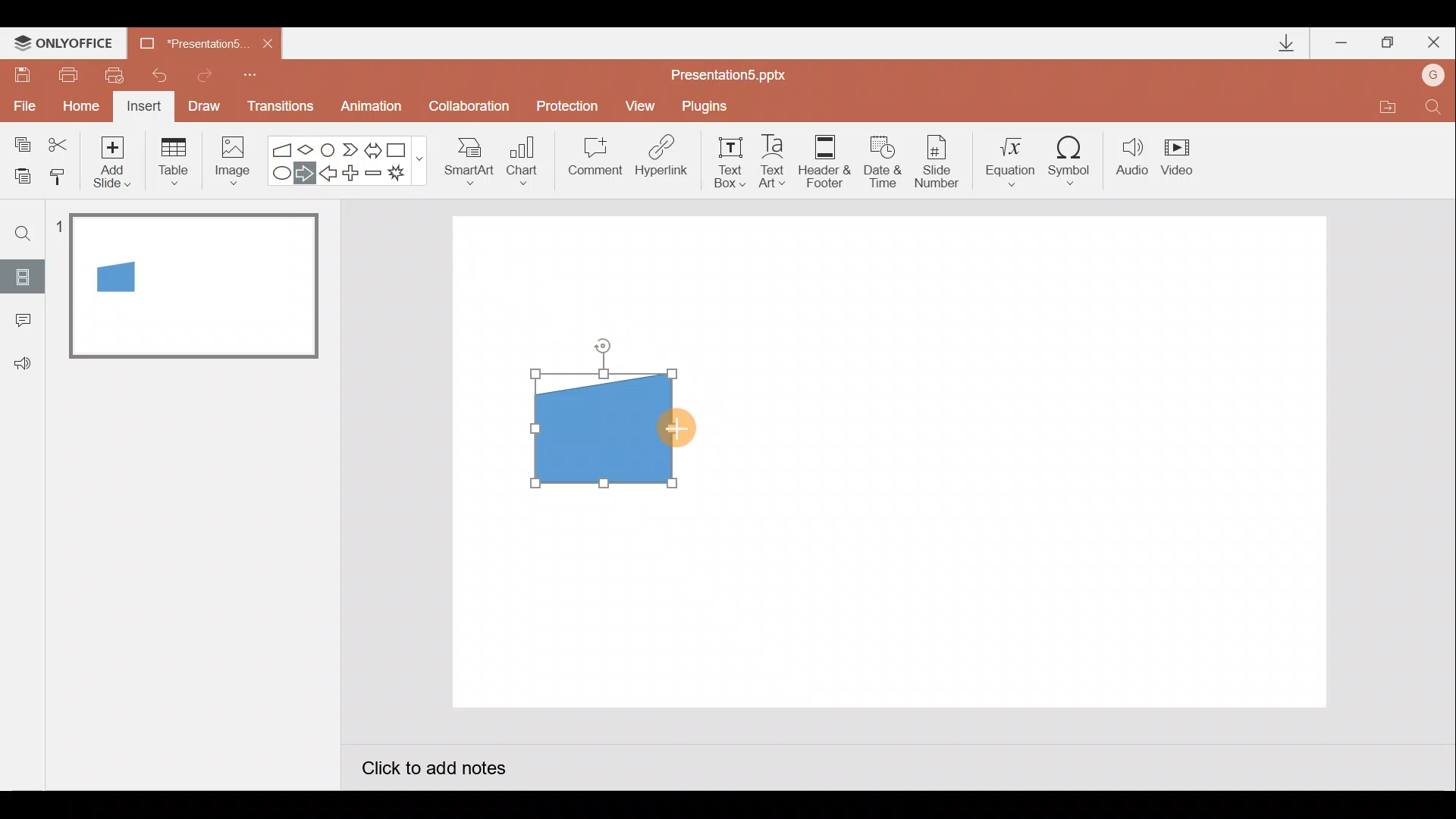 The width and height of the screenshot is (1456, 819). Describe the element at coordinates (1433, 108) in the screenshot. I see `Find` at that location.